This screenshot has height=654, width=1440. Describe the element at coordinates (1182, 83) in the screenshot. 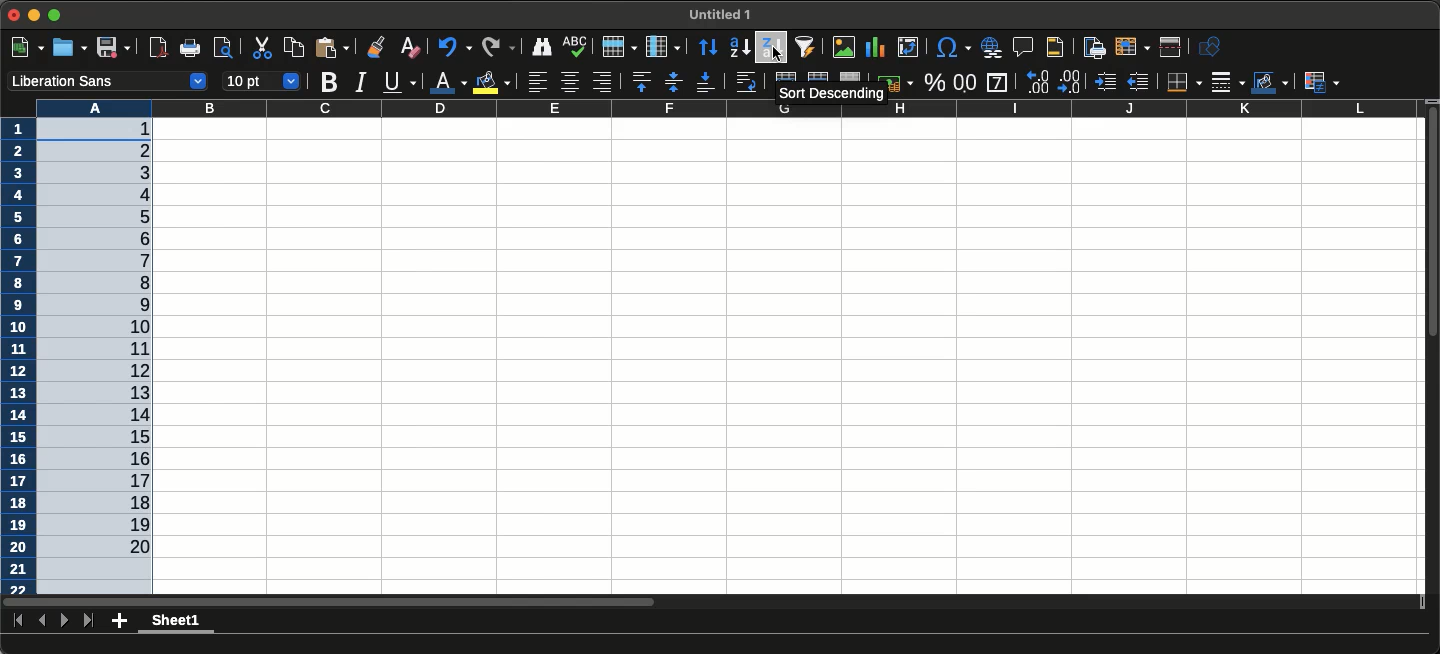

I see `Borders` at that location.